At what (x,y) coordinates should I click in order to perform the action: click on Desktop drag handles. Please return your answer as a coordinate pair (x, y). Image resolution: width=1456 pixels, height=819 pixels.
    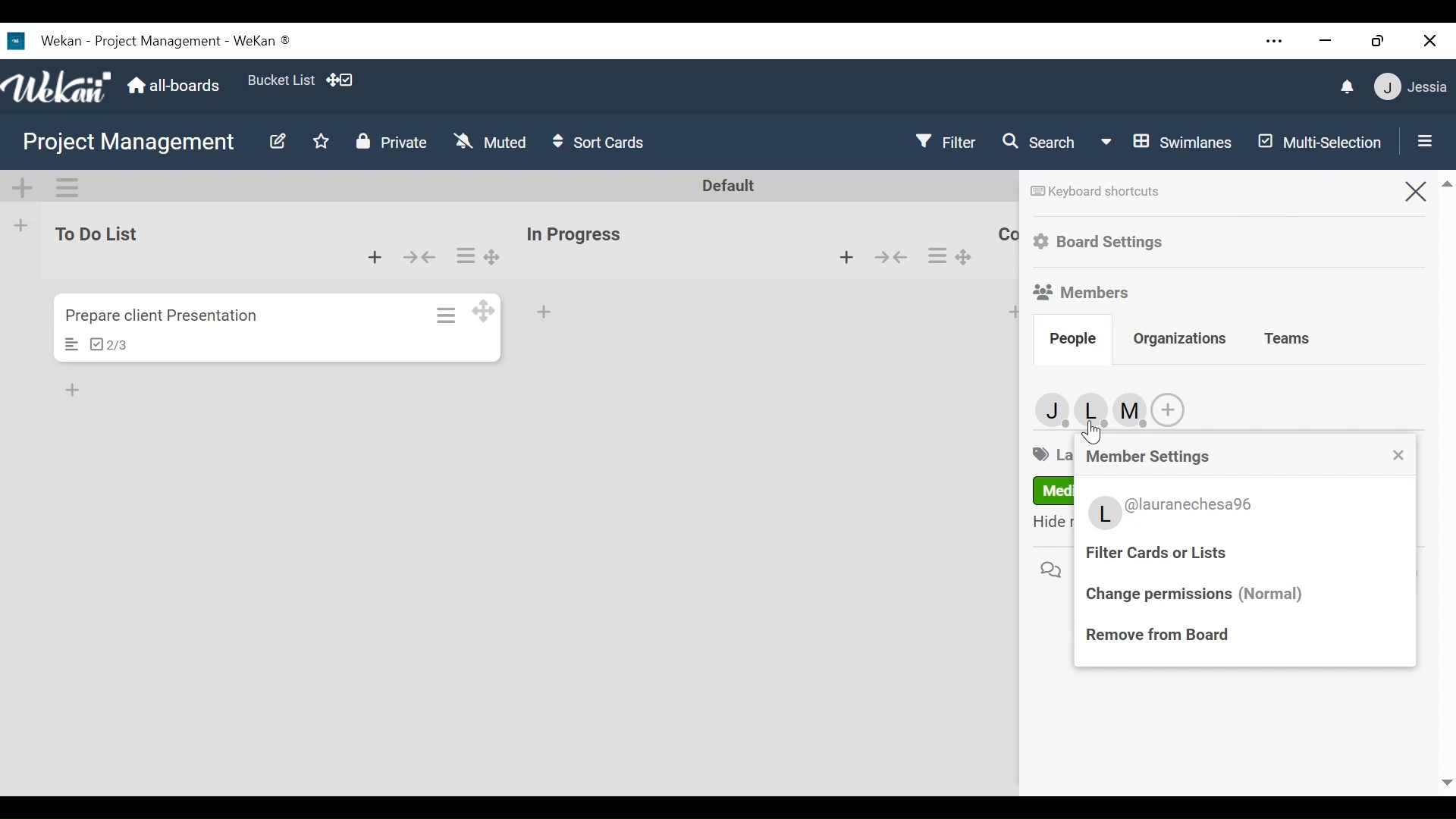
    Looking at the image, I should click on (494, 257).